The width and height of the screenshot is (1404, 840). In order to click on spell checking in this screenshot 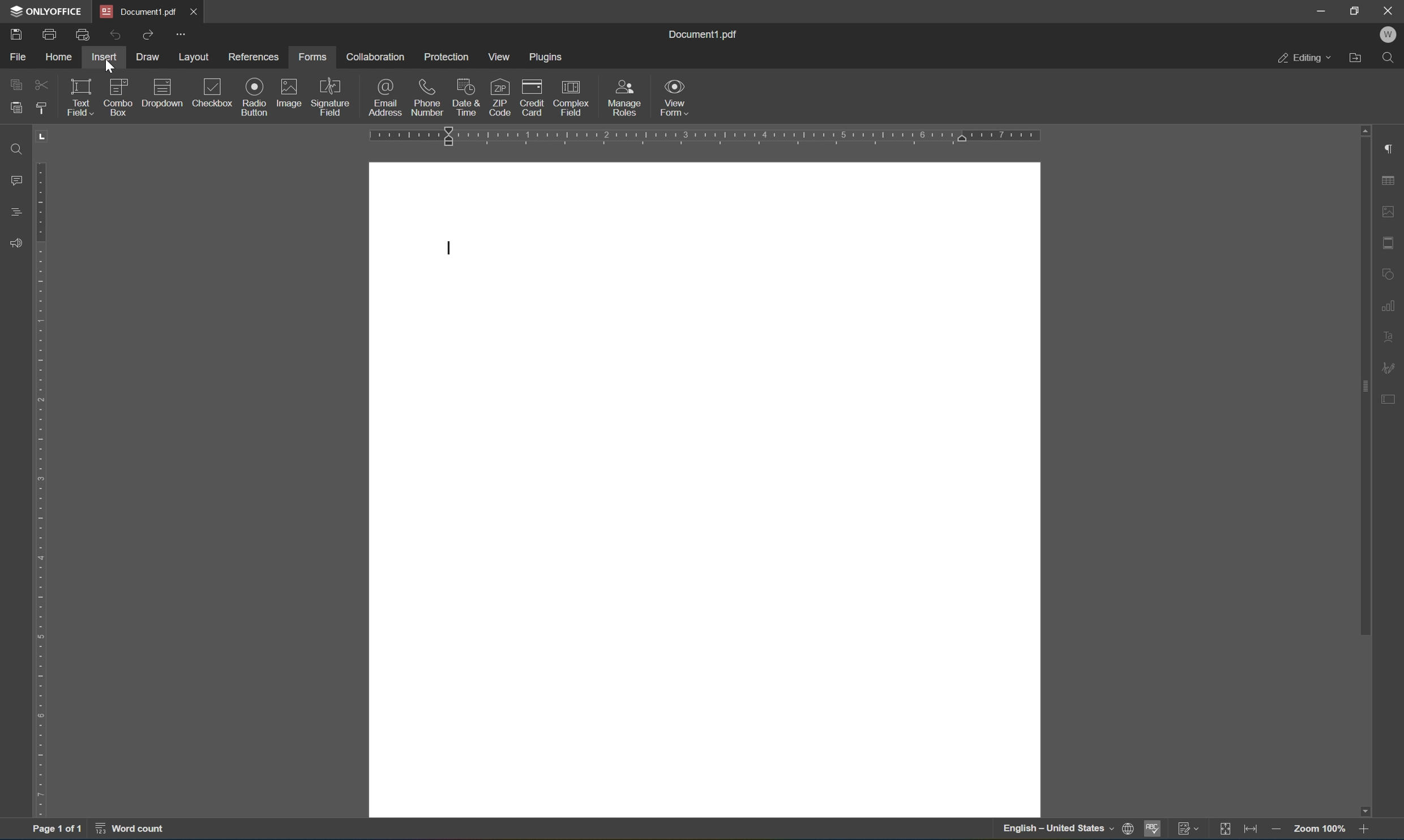, I will do `click(1152, 830)`.